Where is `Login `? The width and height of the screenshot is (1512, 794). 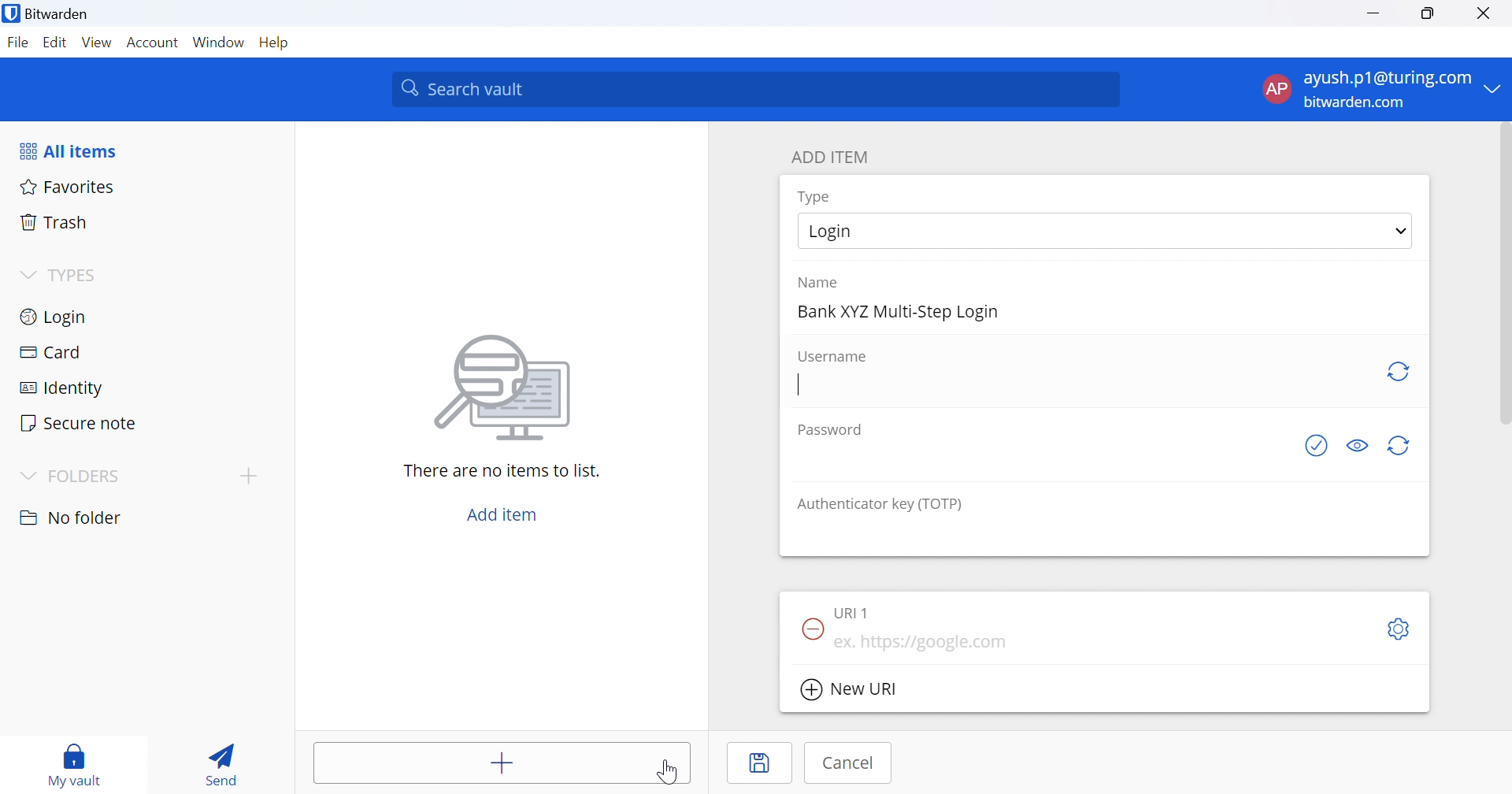 Login  is located at coordinates (851, 231).